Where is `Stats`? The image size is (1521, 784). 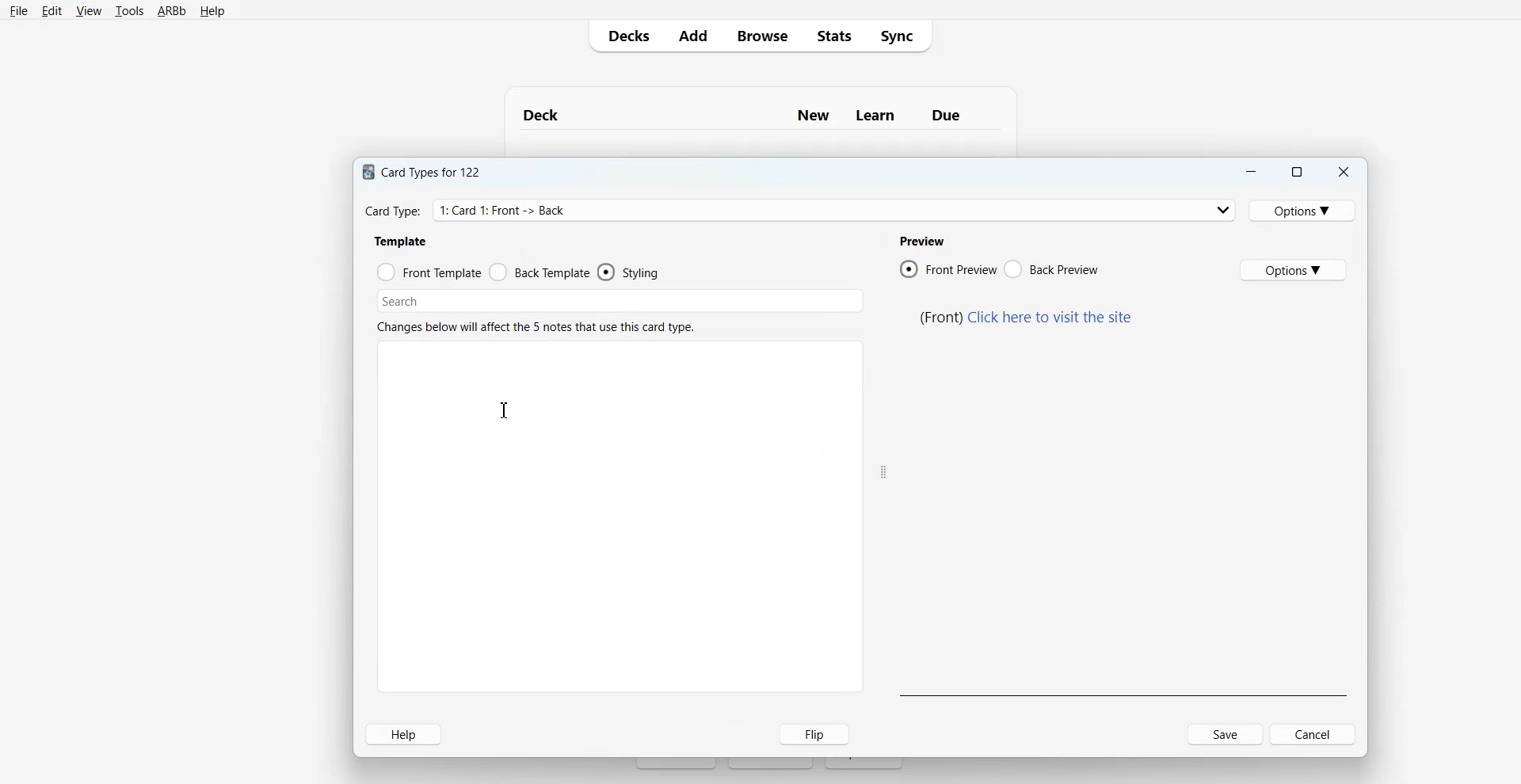 Stats is located at coordinates (836, 35).